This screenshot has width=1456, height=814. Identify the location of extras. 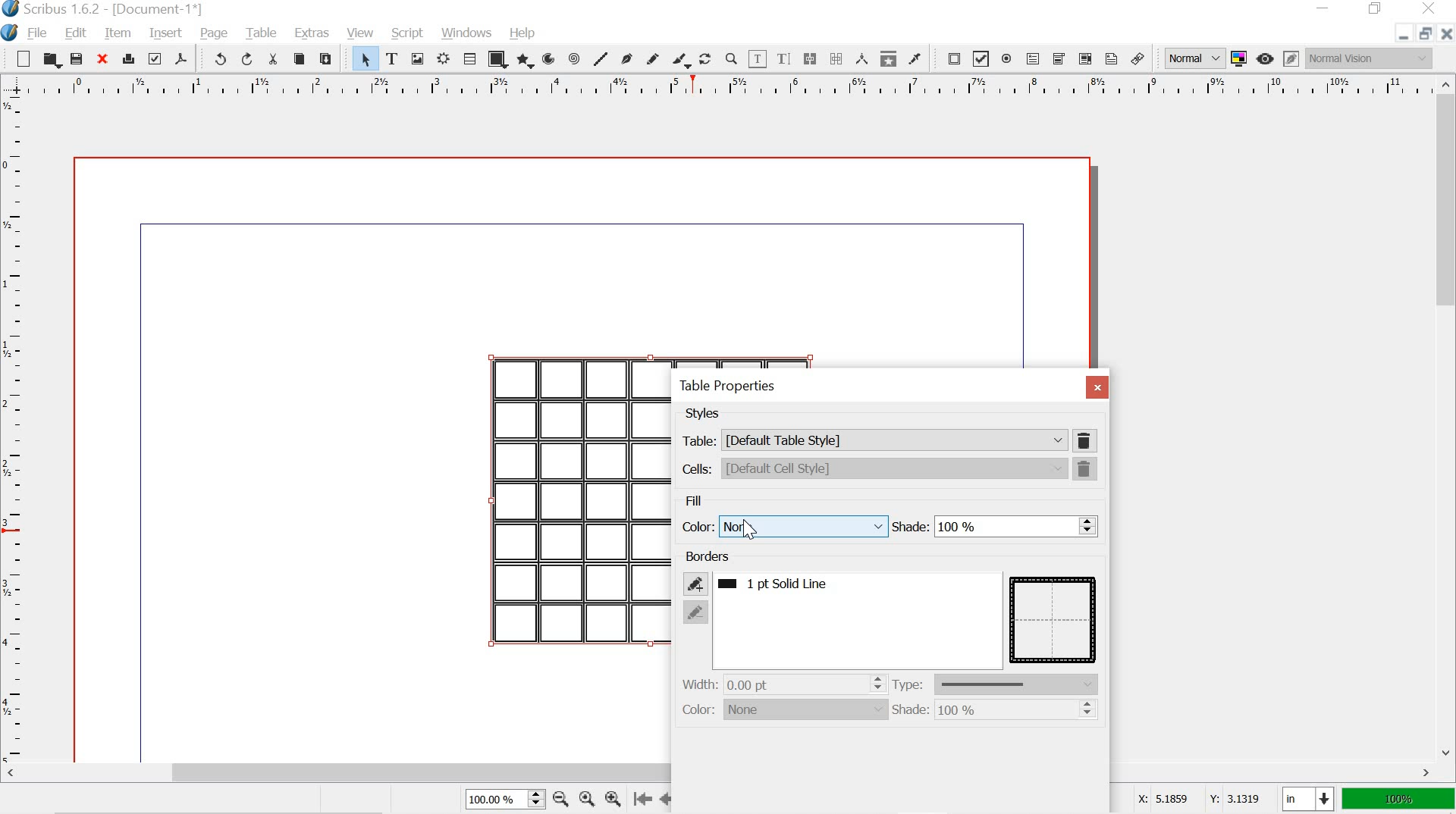
(309, 35).